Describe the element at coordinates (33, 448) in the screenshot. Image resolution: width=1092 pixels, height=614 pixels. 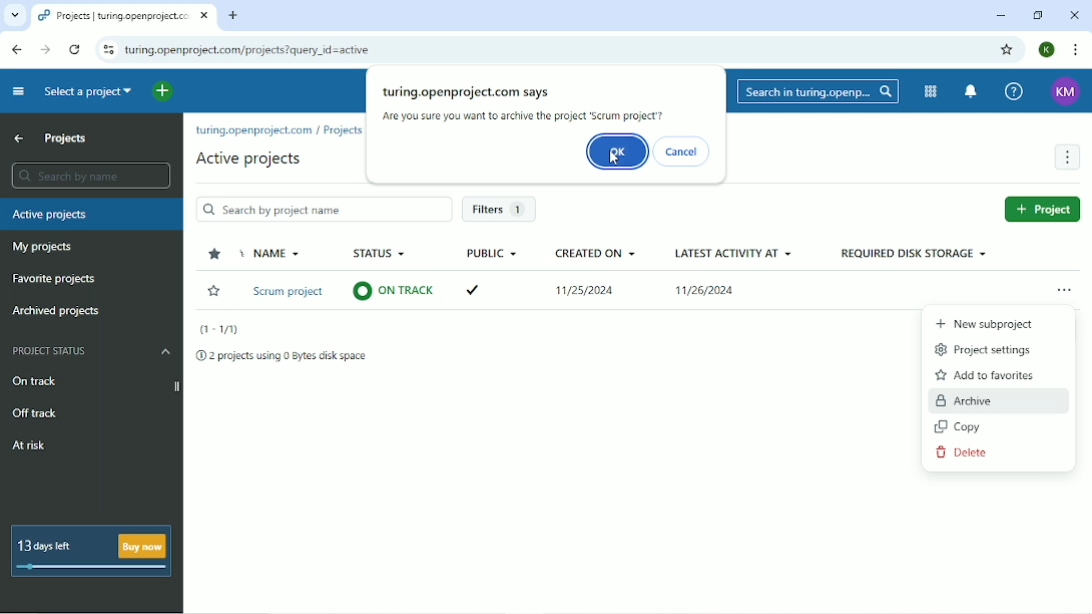
I see `At risk` at that location.